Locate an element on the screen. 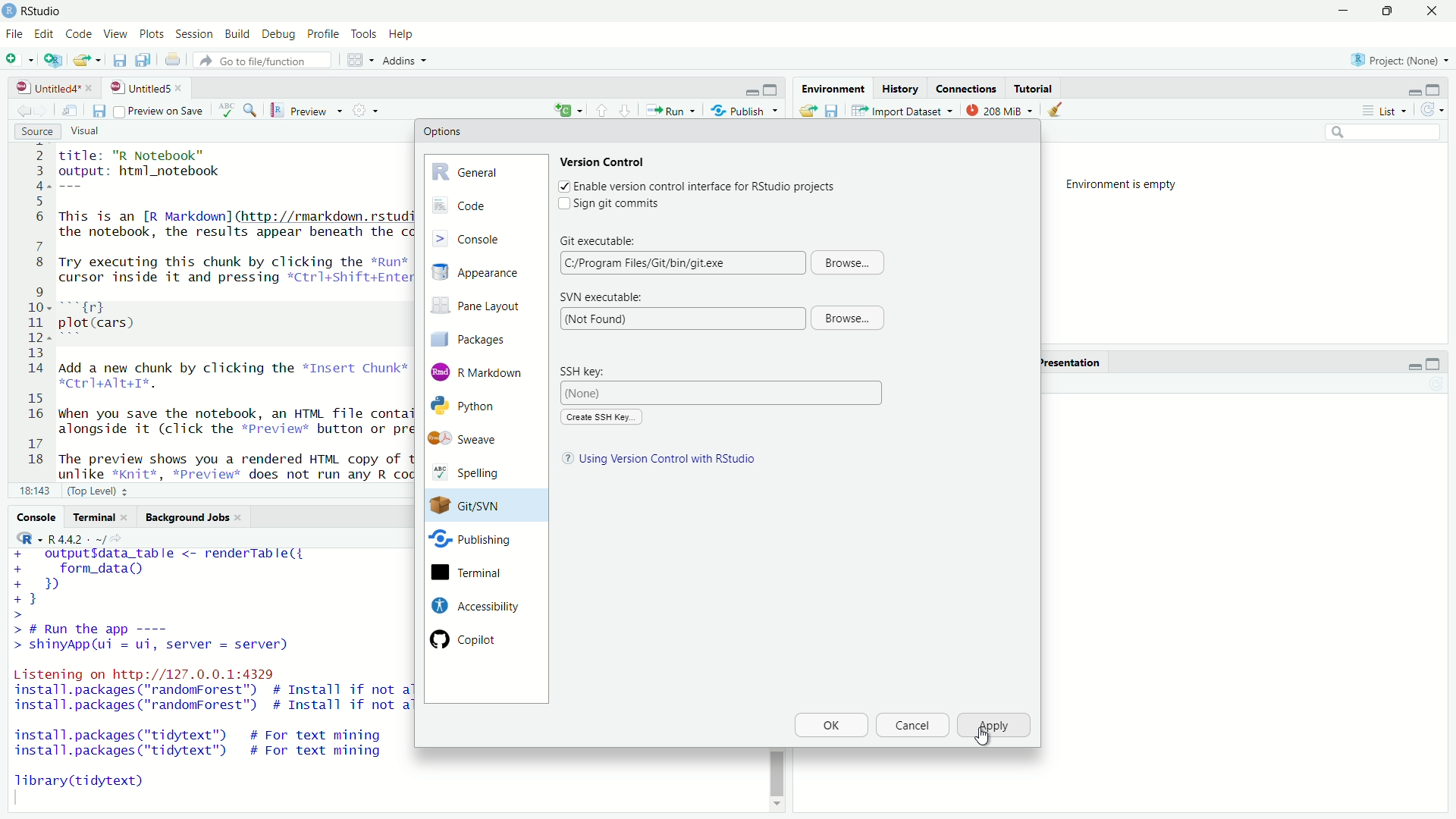 The image size is (1456, 819). minimize is located at coordinates (1413, 91).